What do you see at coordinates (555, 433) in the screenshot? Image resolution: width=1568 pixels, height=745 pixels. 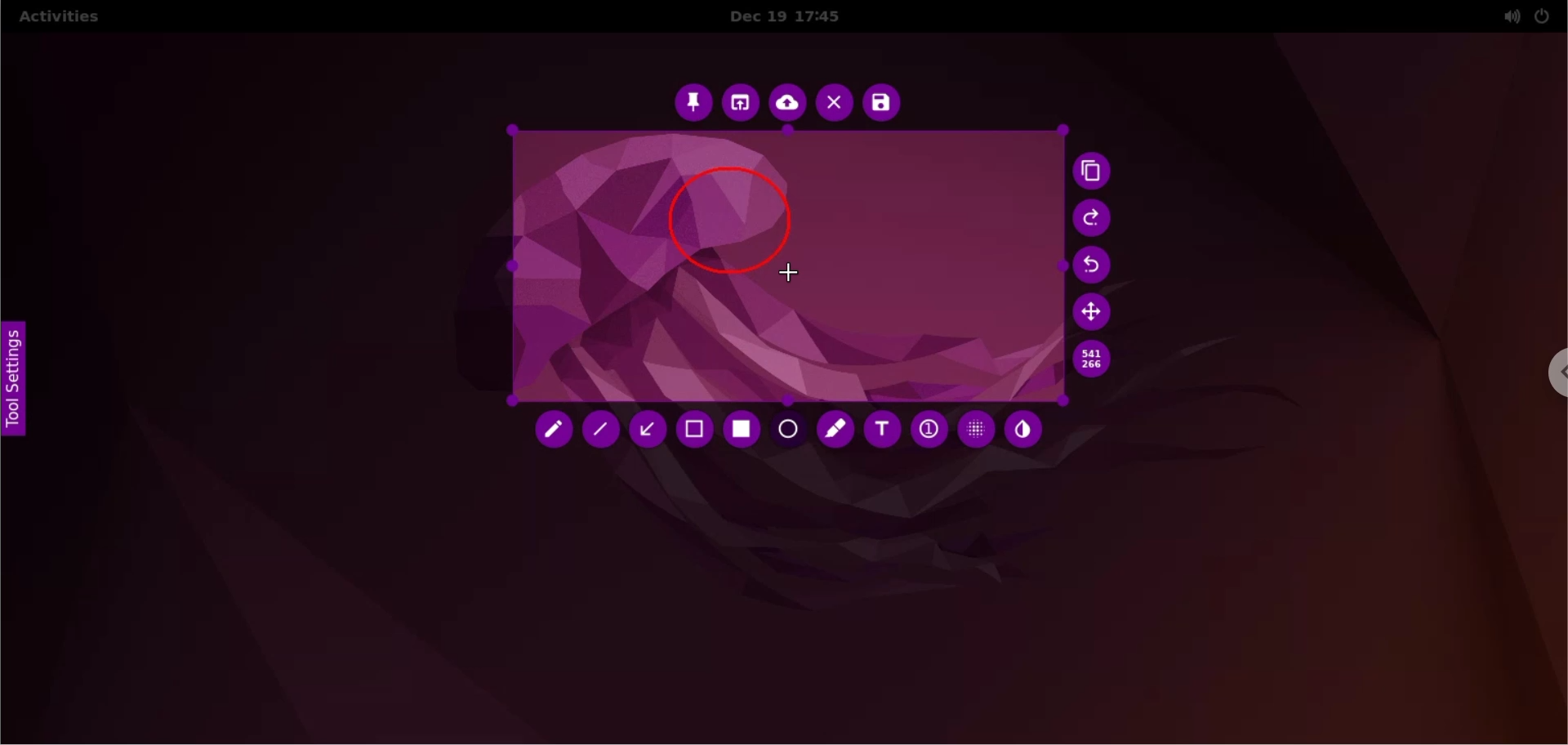 I see `pencil tool` at bounding box center [555, 433].